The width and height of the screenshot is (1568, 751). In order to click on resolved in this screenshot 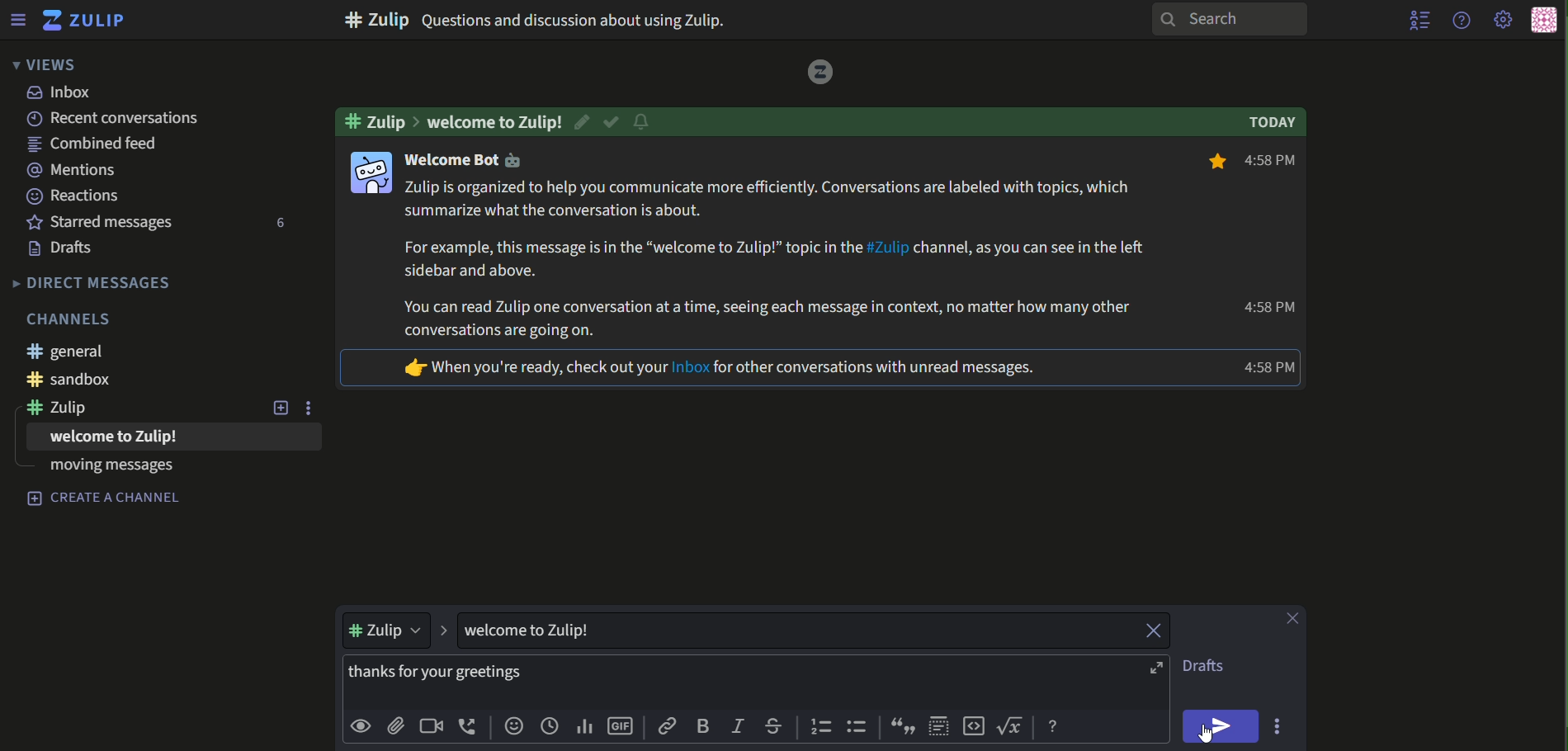, I will do `click(612, 122)`.